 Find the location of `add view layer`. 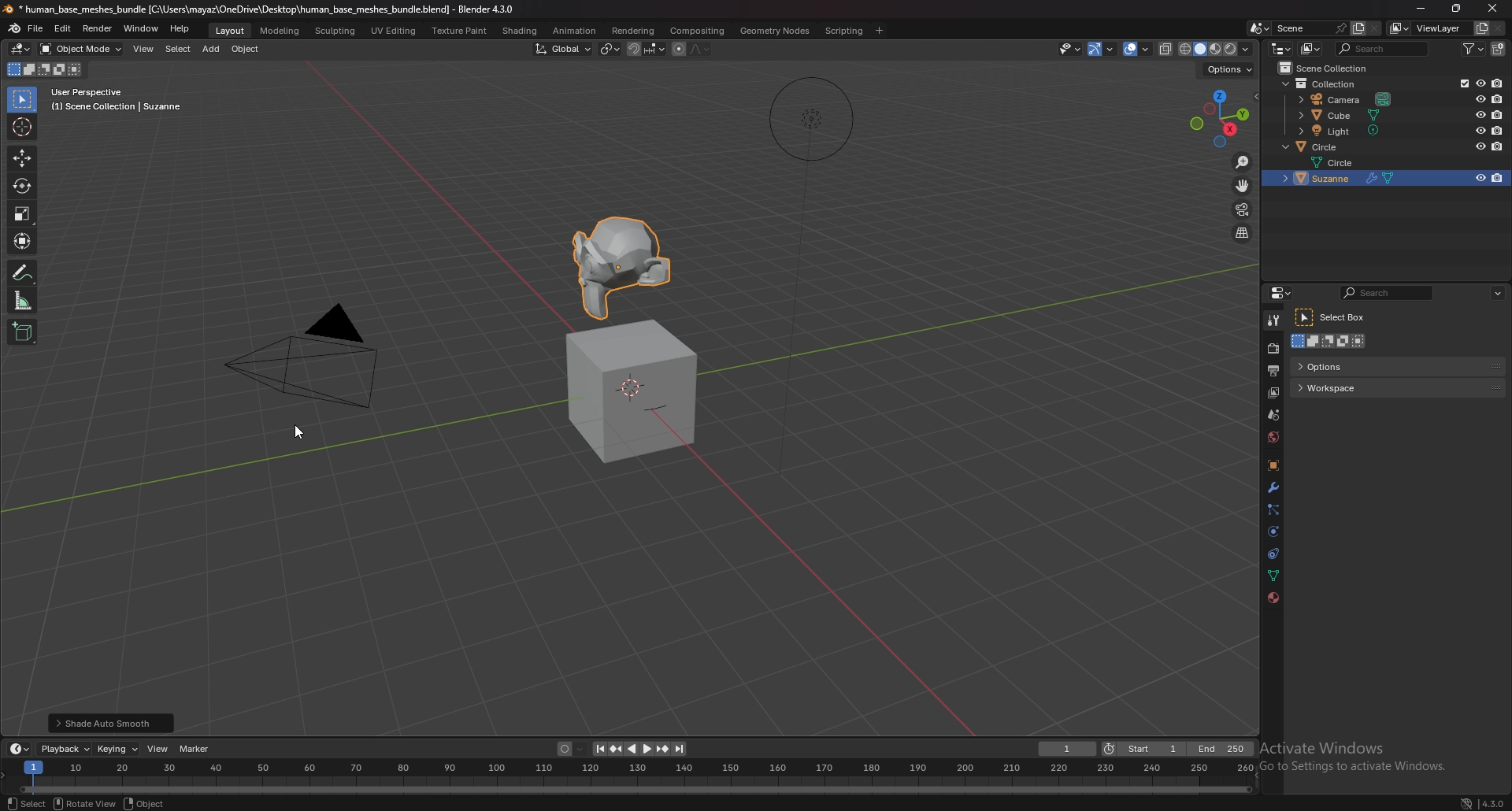

add view layer is located at coordinates (1481, 27).